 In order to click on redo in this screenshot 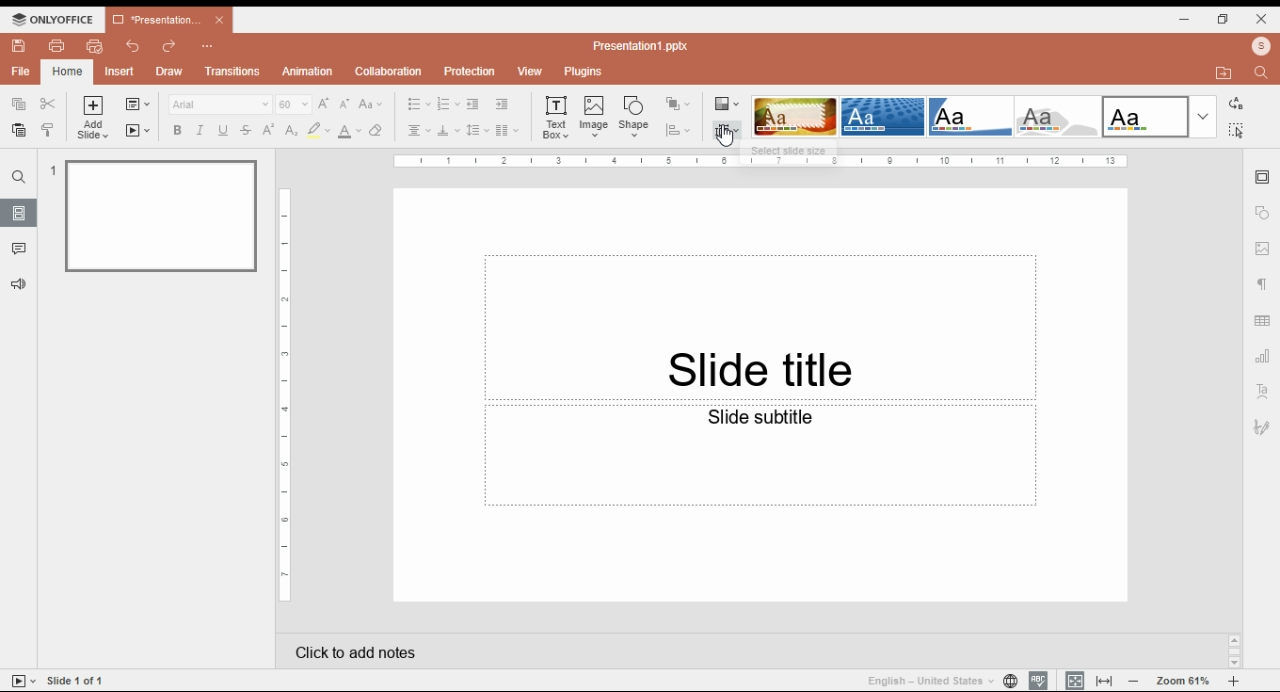, I will do `click(170, 47)`.